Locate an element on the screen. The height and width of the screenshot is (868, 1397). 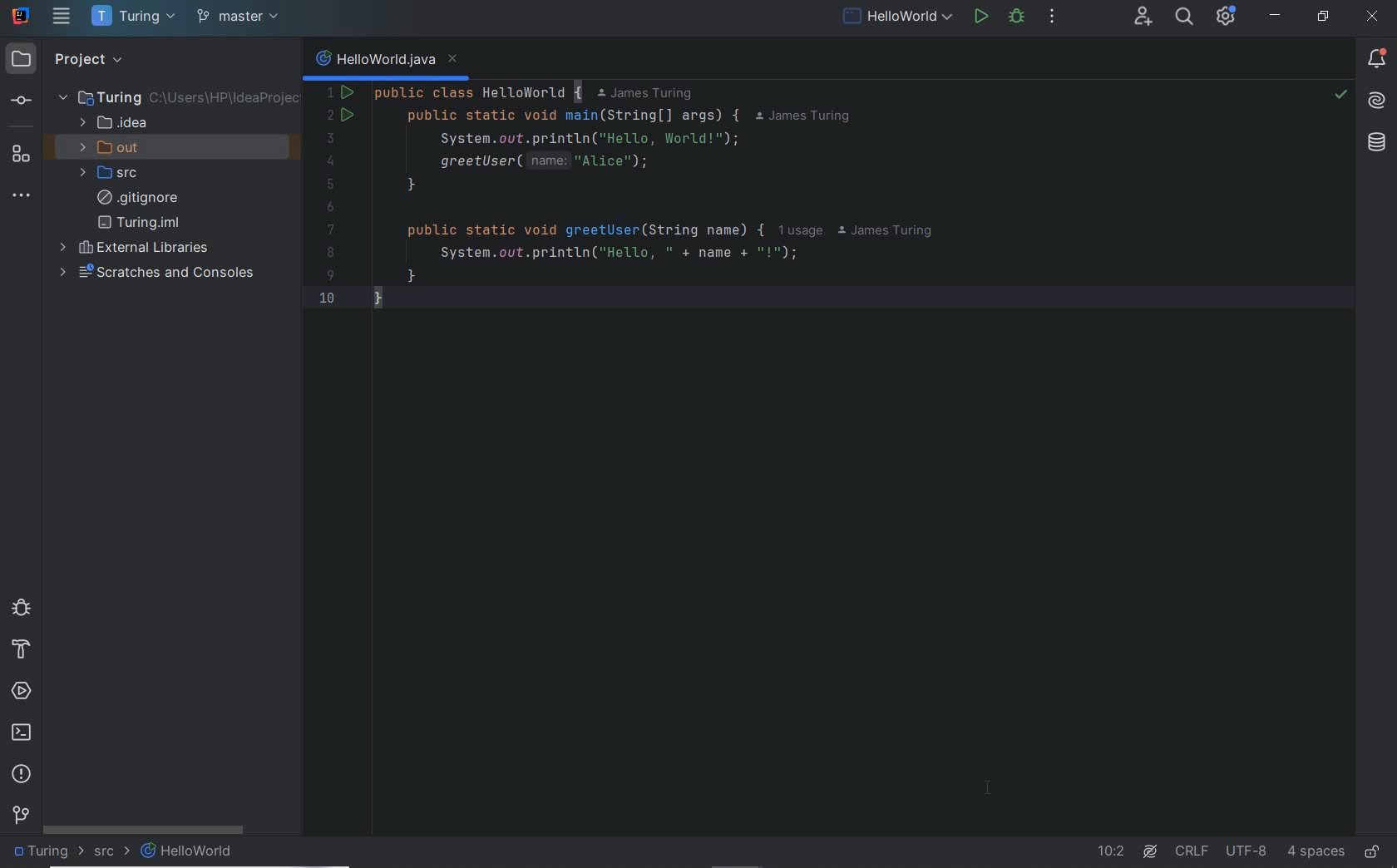
LINE SEPARATOR is located at coordinates (1192, 848).